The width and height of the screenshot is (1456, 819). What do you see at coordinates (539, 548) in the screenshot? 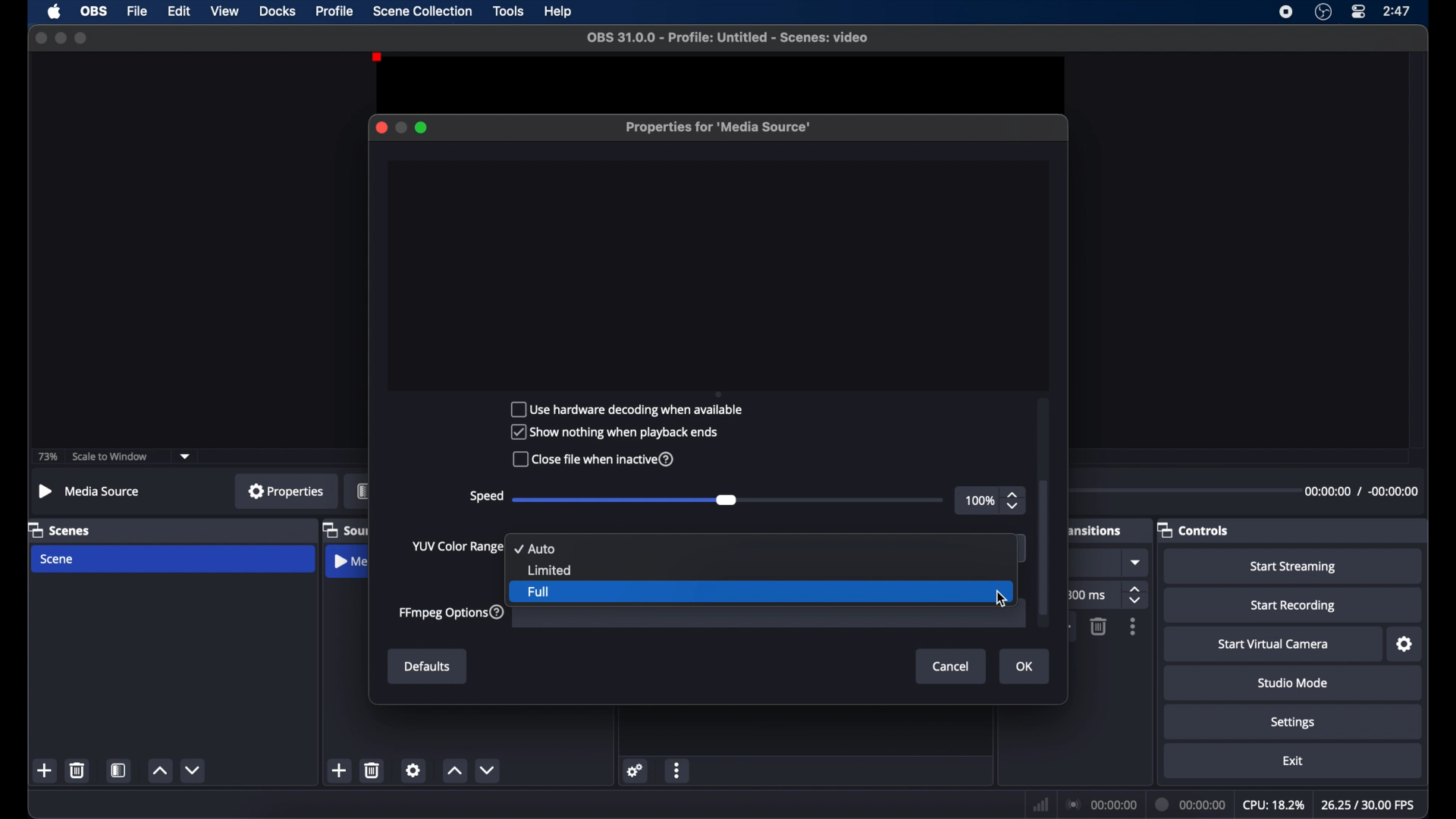
I see `auto` at bounding box center [539, 548].